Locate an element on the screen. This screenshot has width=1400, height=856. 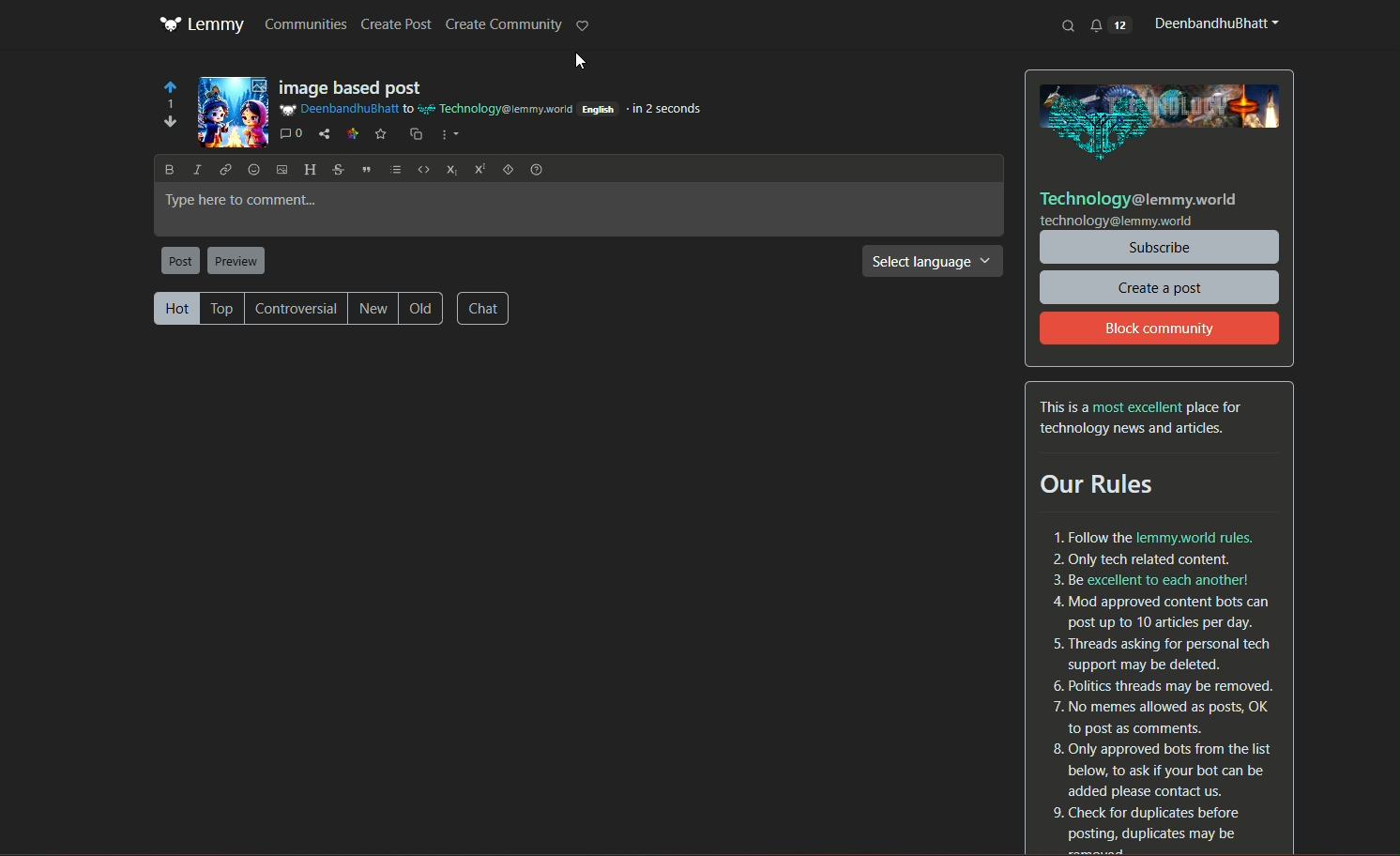
5. Threads asking for personal tech support may be deleted. is located at coordinates (1156, 650).